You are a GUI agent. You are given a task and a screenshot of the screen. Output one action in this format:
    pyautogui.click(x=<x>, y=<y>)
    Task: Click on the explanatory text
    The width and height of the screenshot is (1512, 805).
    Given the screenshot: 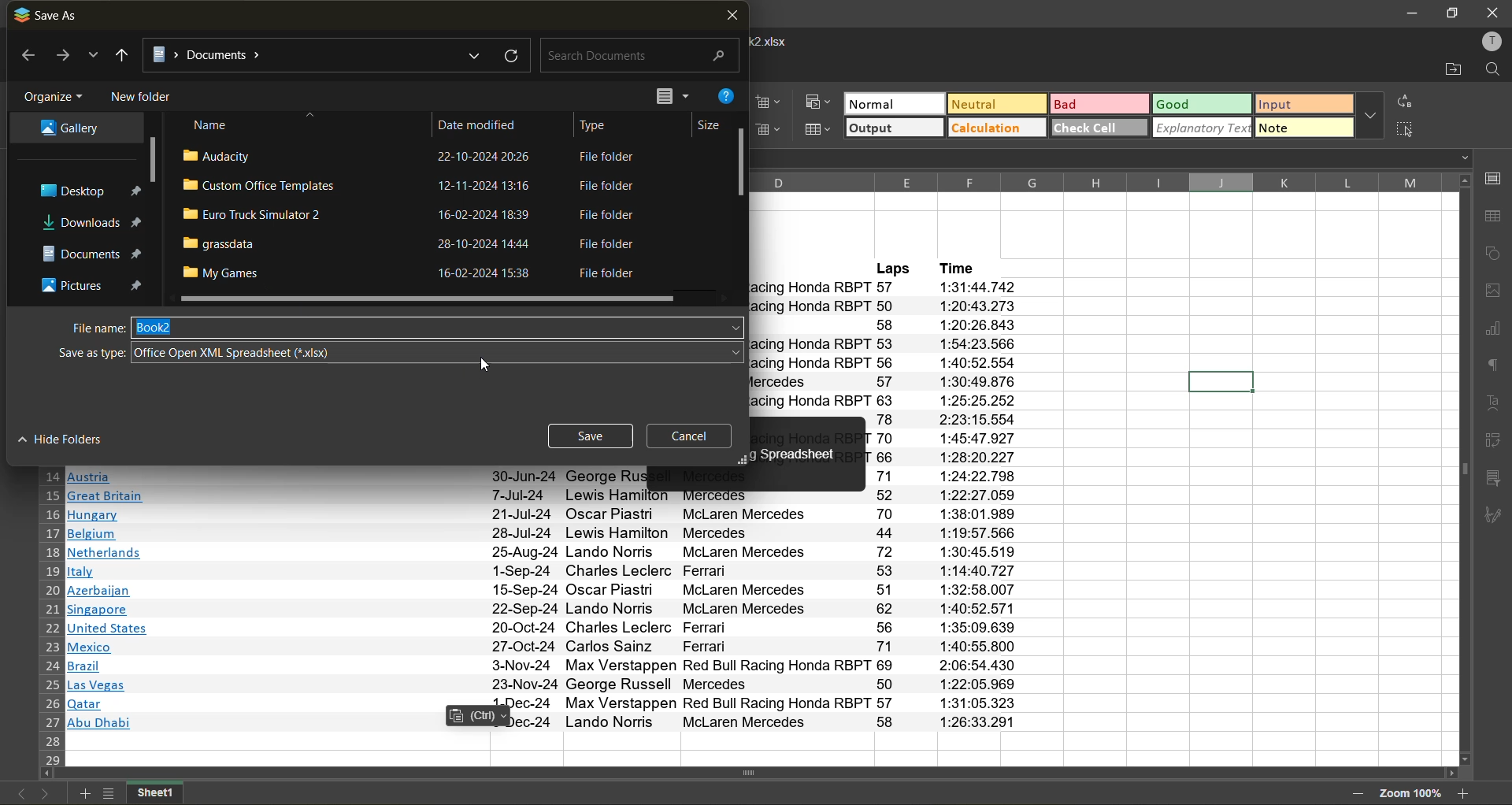 What is the action you would take?
    pyautogui.click(x=1203, y=129)
    